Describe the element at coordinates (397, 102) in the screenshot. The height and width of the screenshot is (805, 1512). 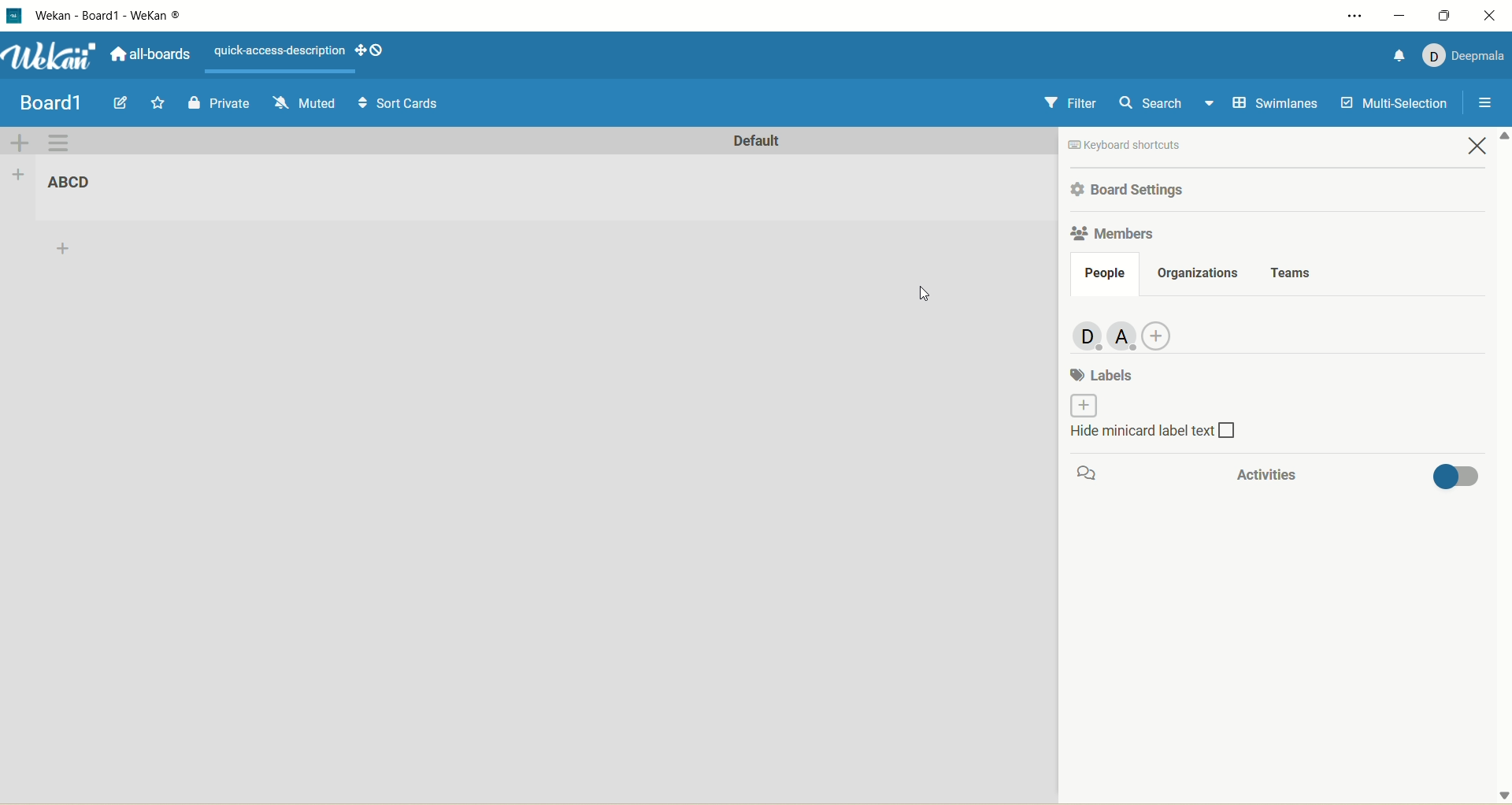
I see `Sort Cards` at that location.